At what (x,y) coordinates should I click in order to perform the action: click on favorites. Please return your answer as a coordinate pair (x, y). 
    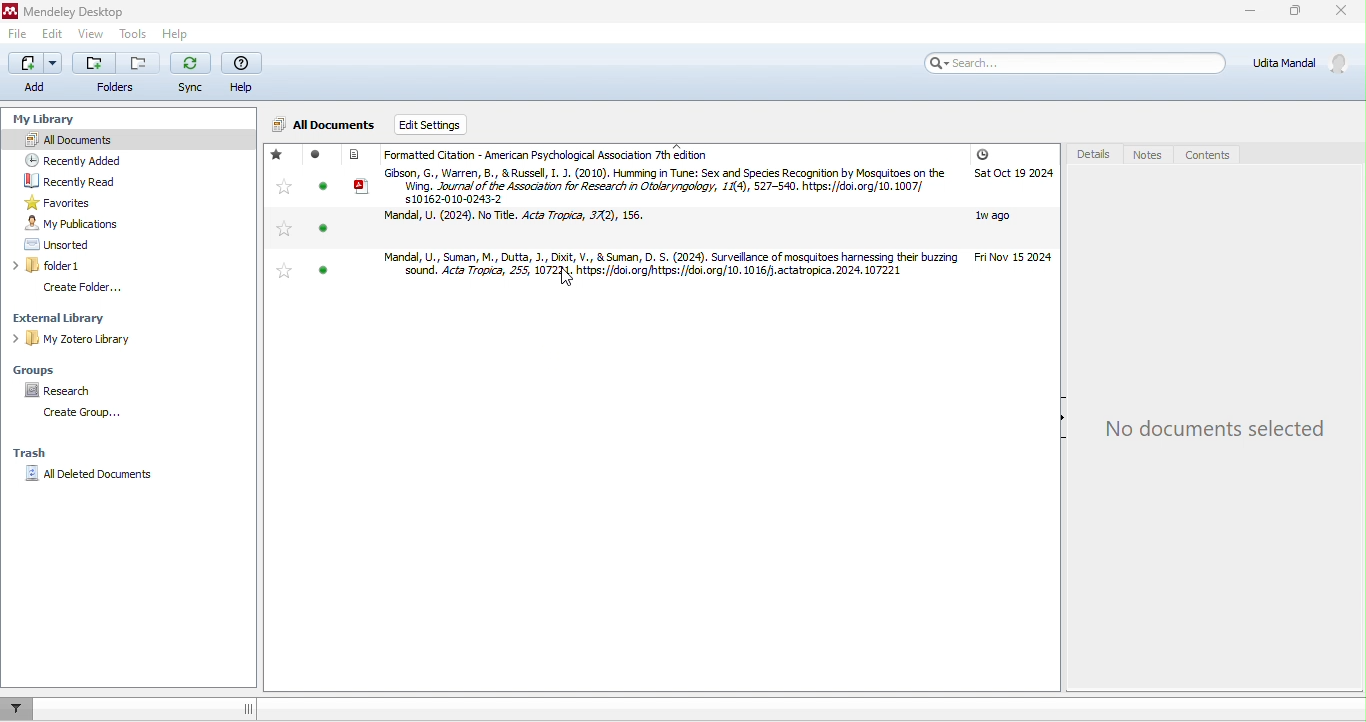
    Looking at the image, I should click on (59, 202).